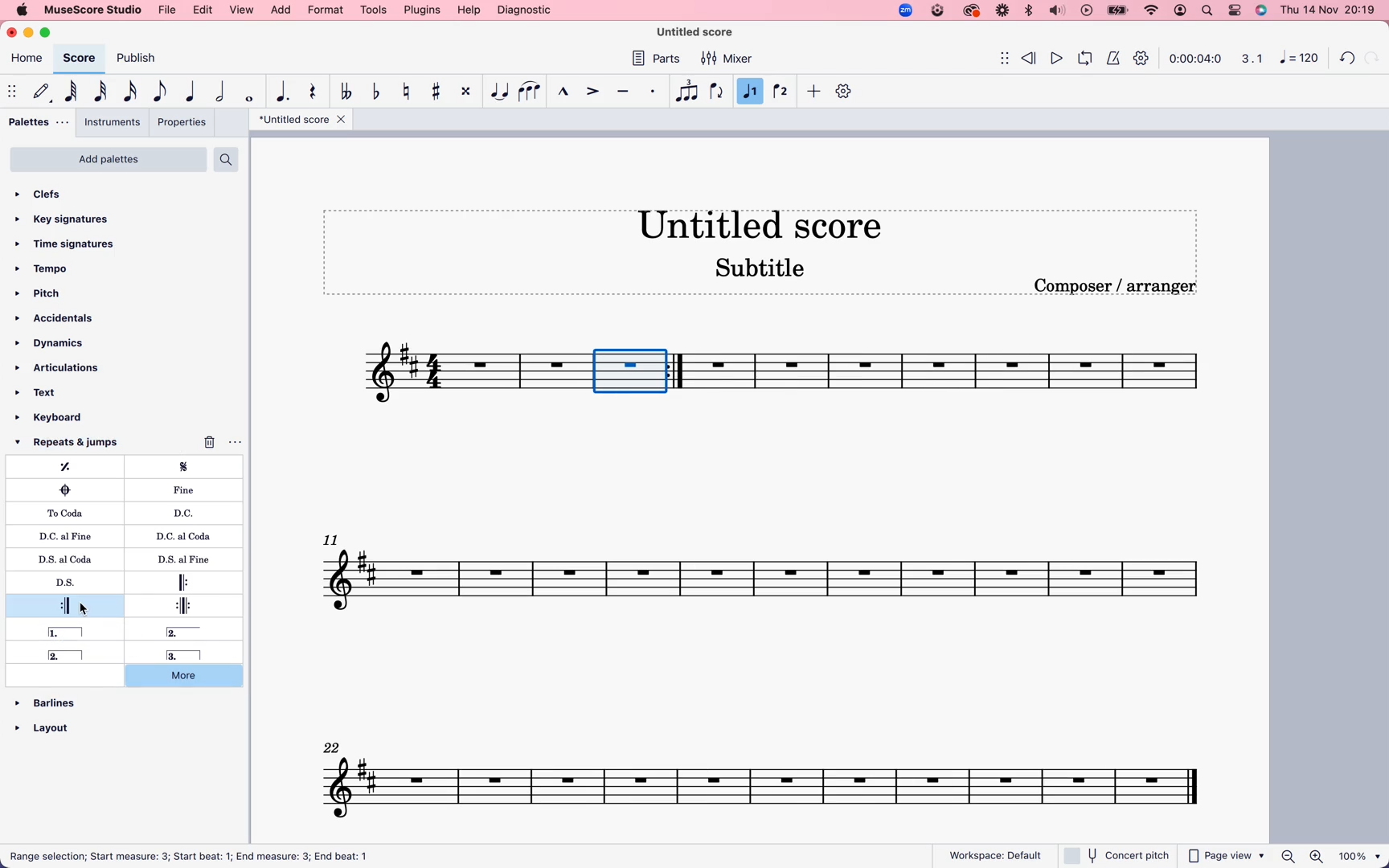  Describe the element at coordinates (1001, 11) in the screenshot. I see `loom` at that location.